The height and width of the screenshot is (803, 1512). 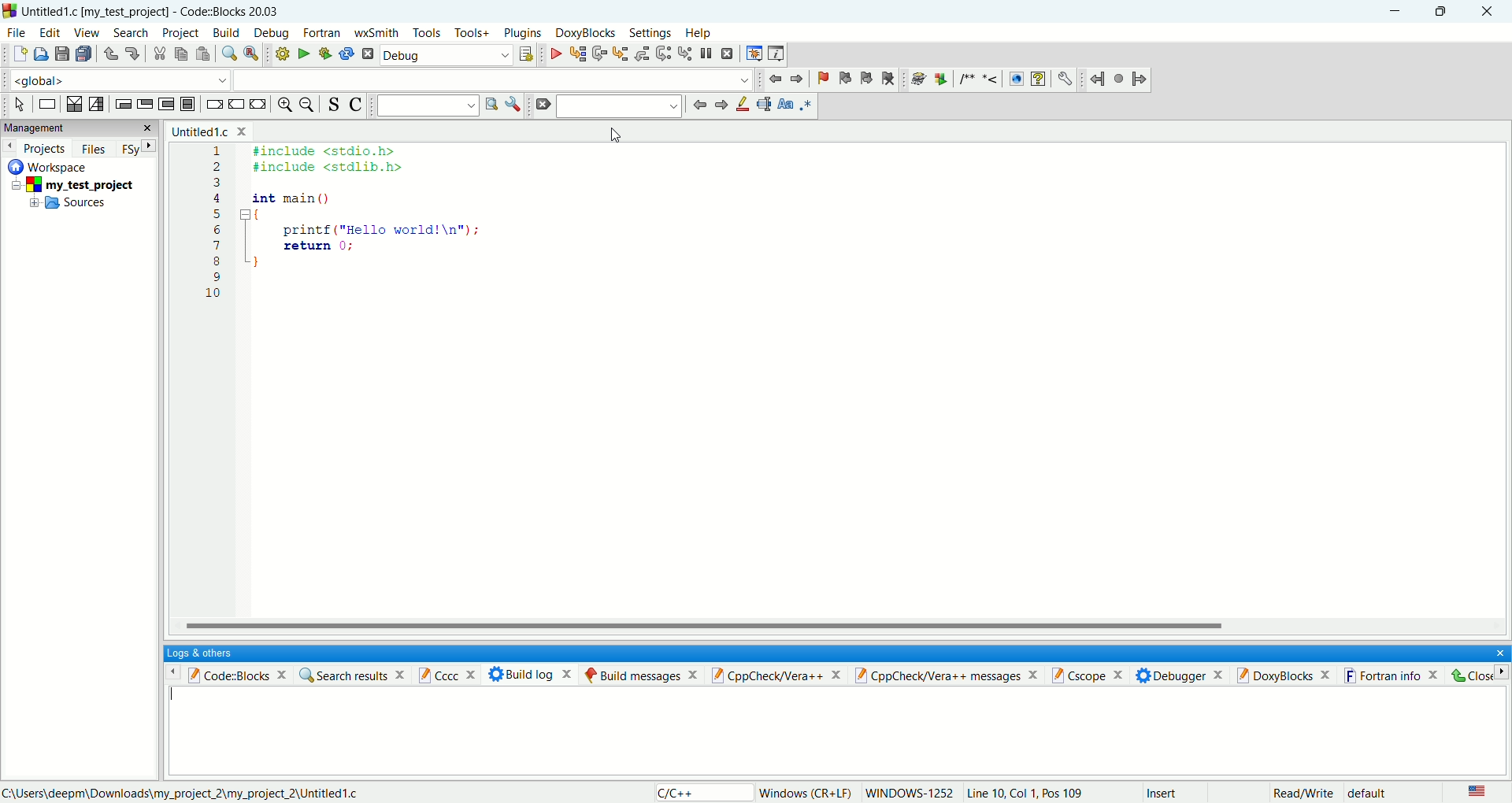 What do you see at coordinates (346, 54) in the screenshot?
I see `rebuild` at bounding box center [346, 54].